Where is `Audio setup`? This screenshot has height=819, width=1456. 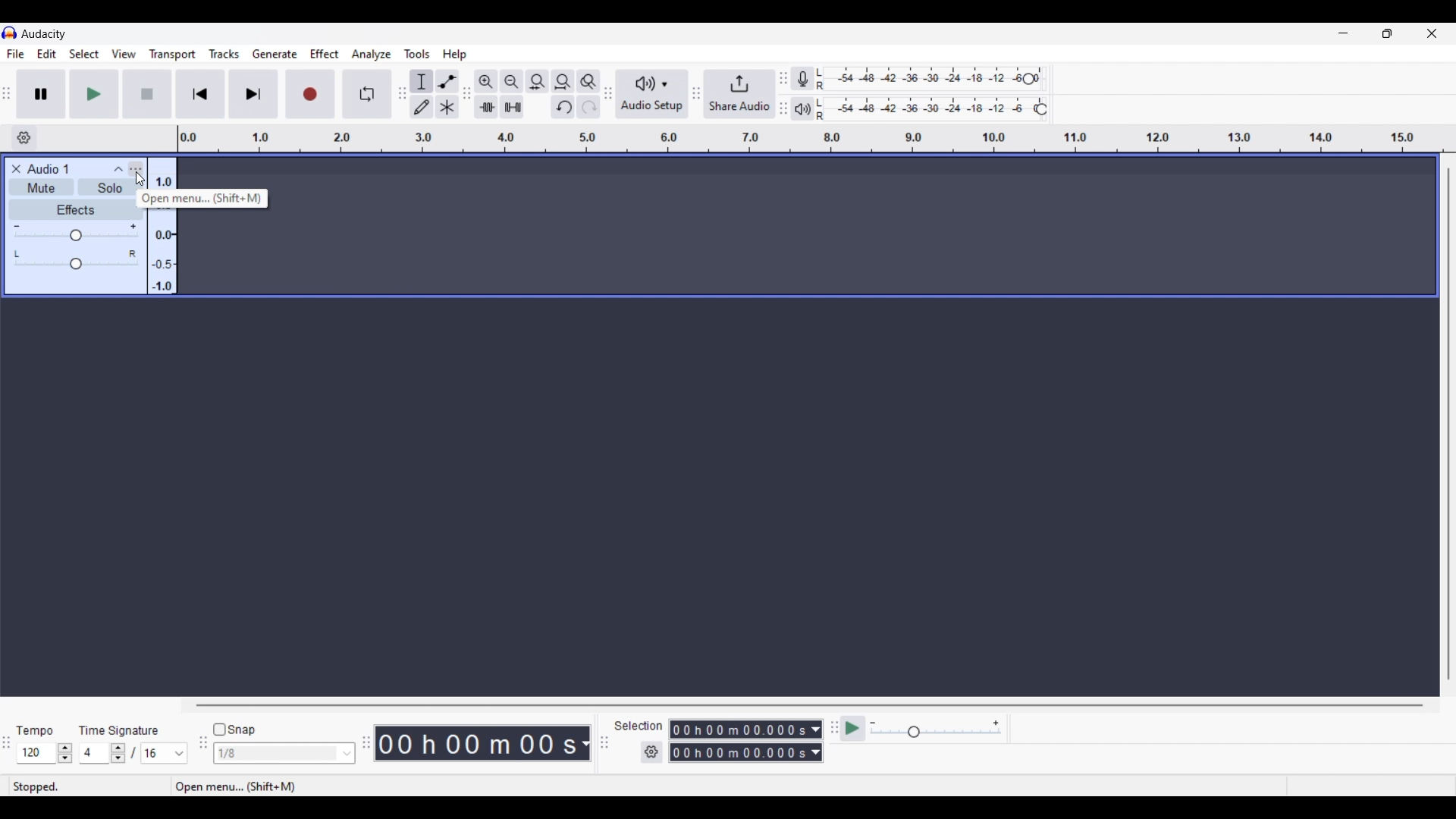 Audio setup is located at coordinates (652, 94).